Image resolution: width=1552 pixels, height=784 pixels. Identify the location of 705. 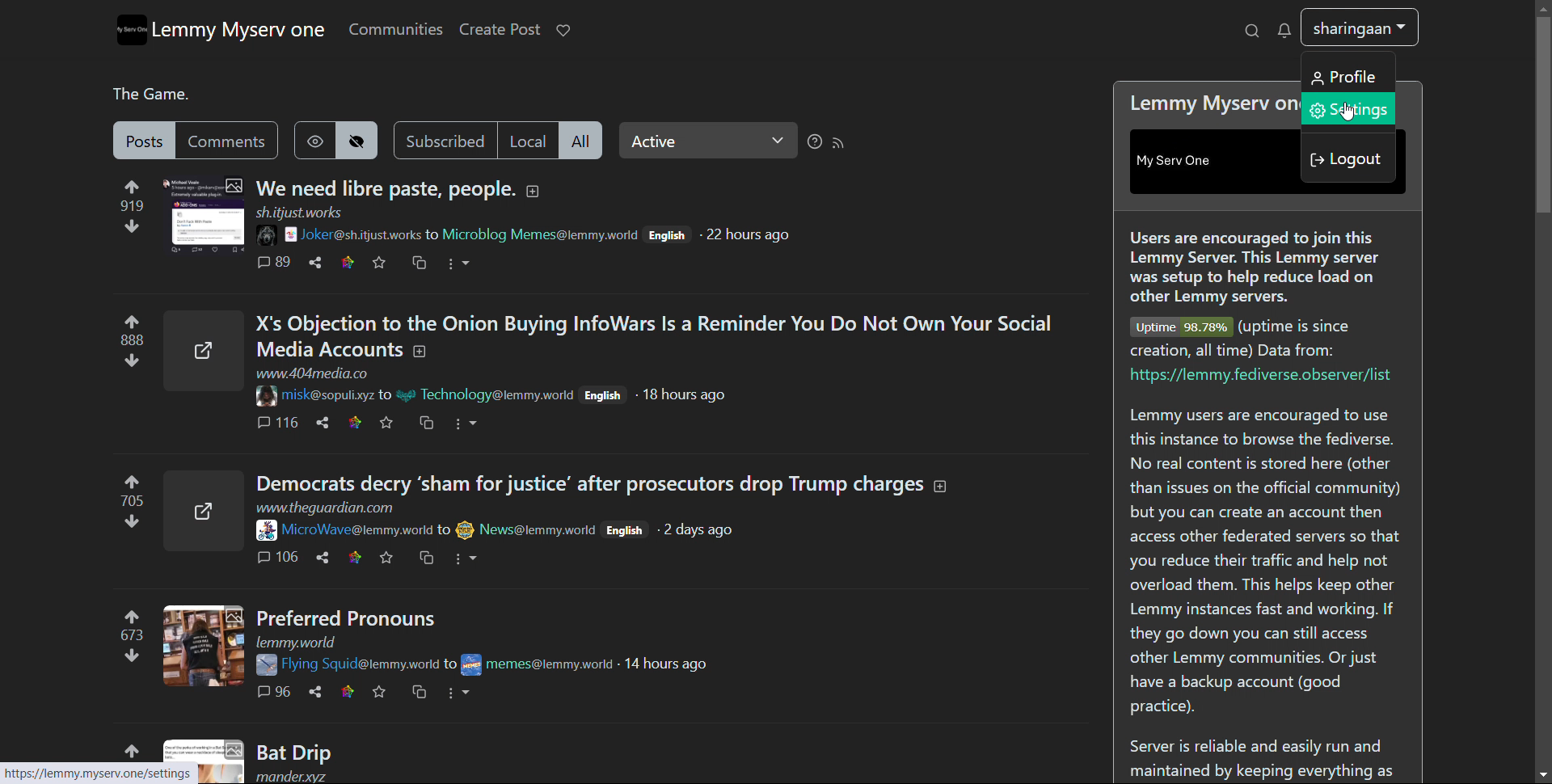
(133, 501).